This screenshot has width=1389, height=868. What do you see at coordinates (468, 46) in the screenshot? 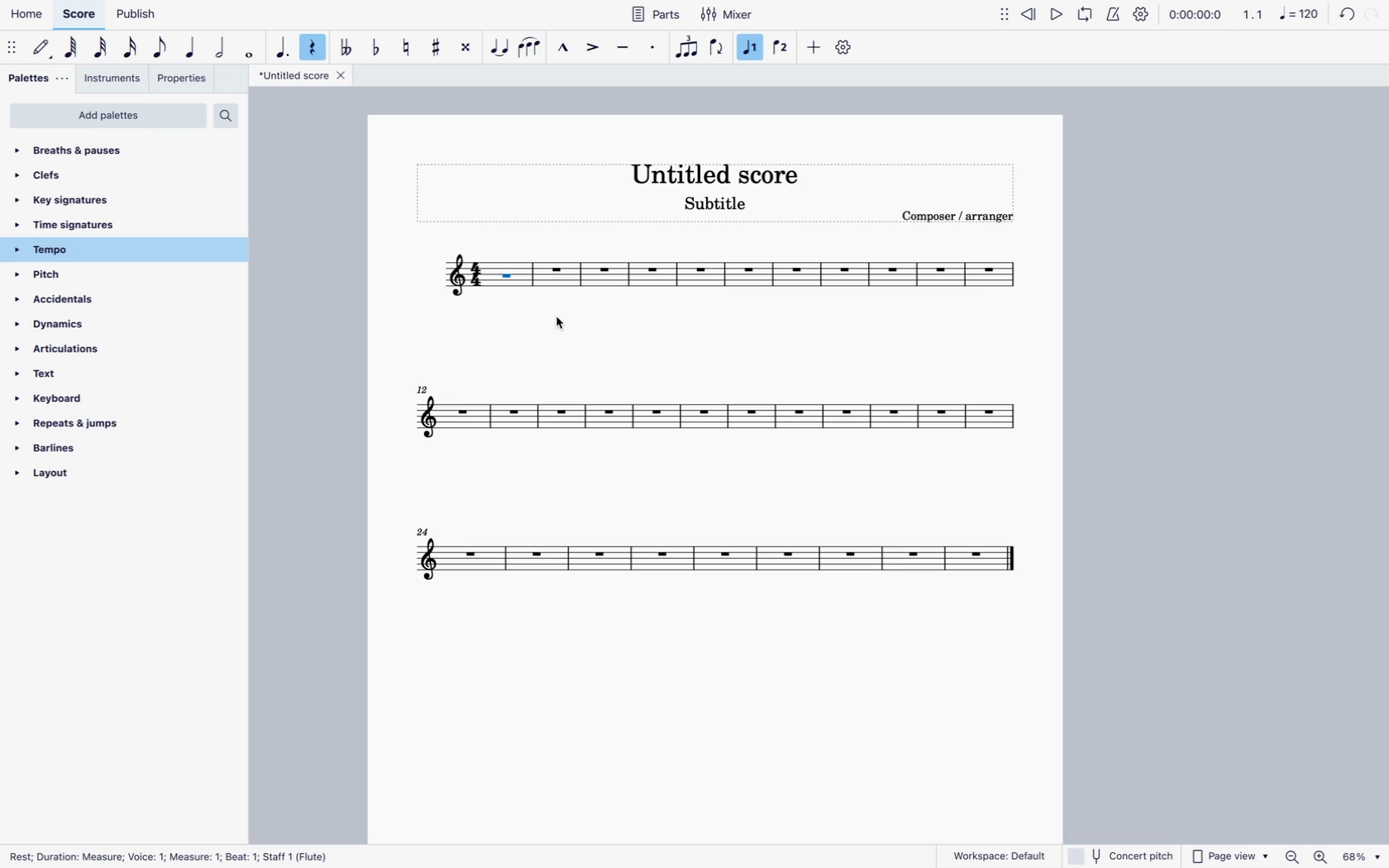
I see `toggle double sharp` at bounding box center [468, 46].